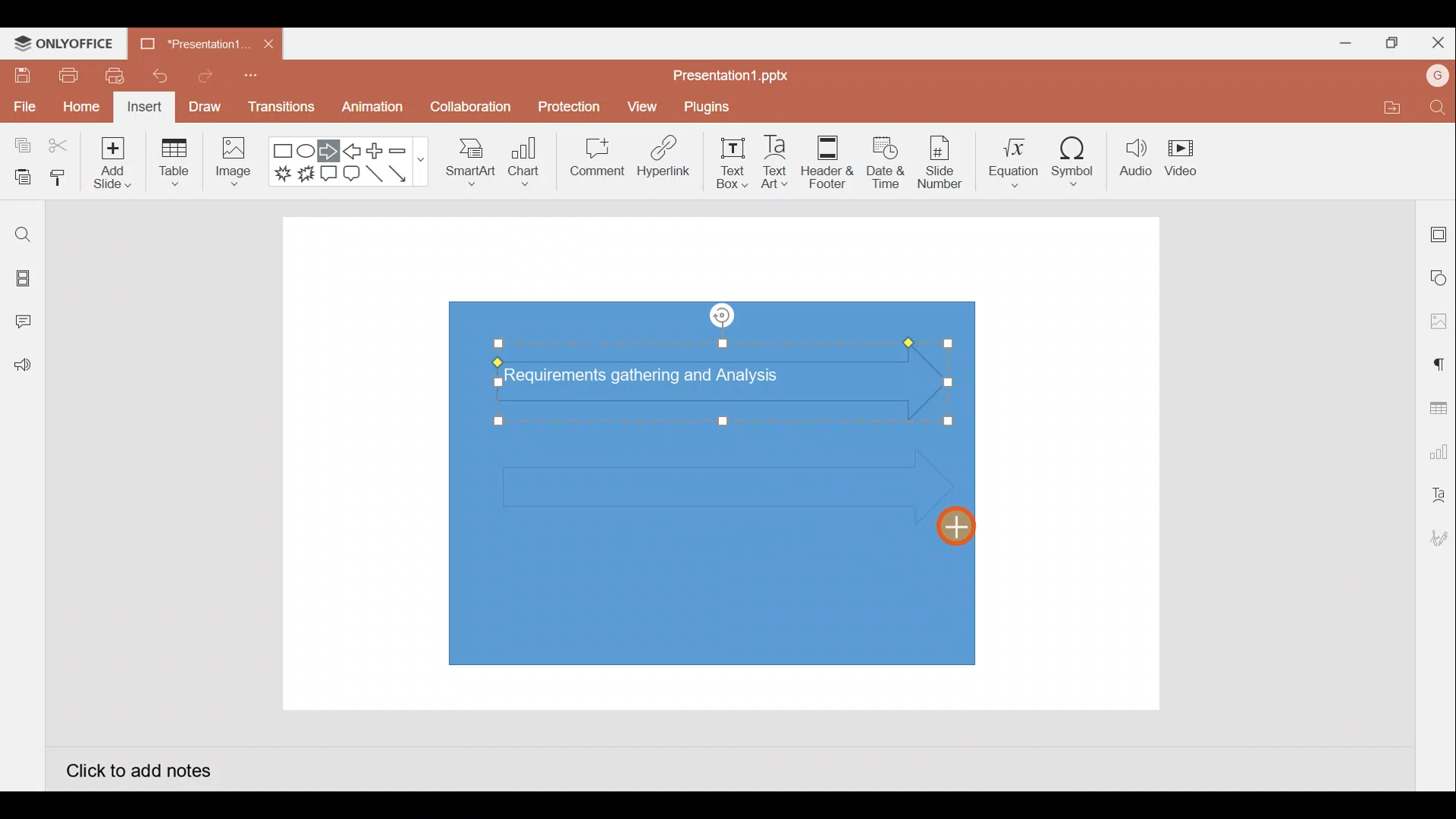  What do you see at coordinates (1339, 40) in the screenshot?
I see `Minimize` at bounding box center [1339, 40].